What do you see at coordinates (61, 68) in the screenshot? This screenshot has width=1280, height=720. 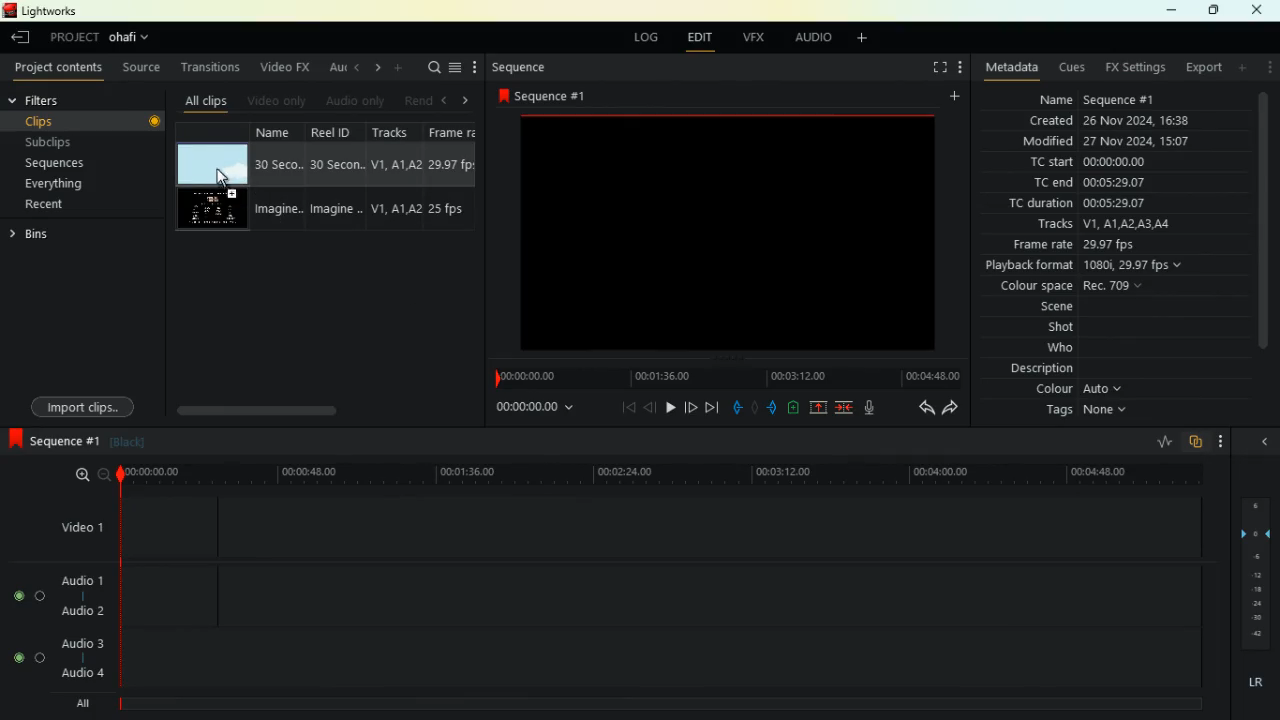 I see `project contents` at bounding box center [61, 68].